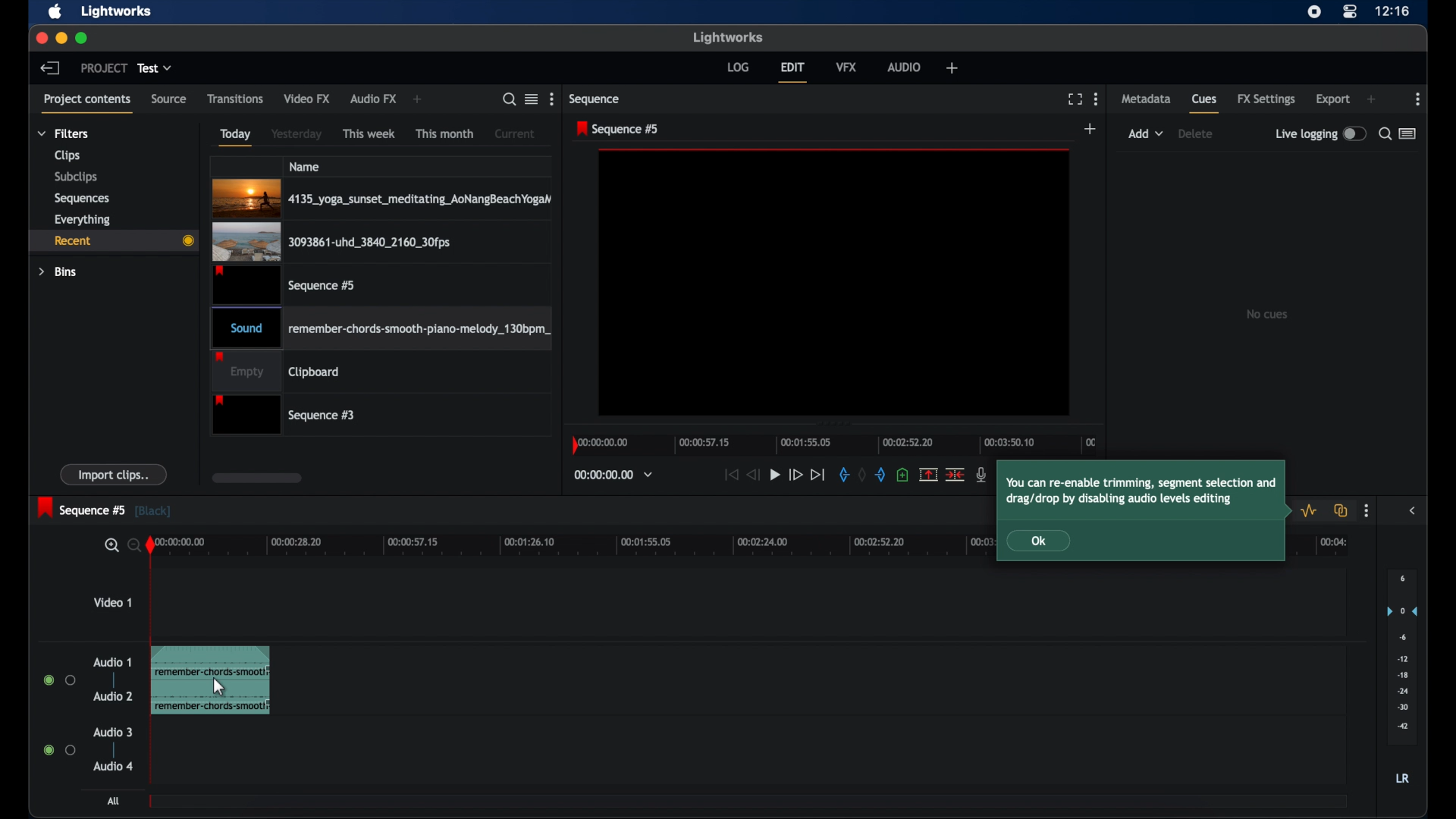  What do you see at coordinates (1145, 488) in the screenshot?
I see `You can re-enable trimming, segment selection and drag/drop by disabling audio levels editing` at bounding box center [1145, 488].